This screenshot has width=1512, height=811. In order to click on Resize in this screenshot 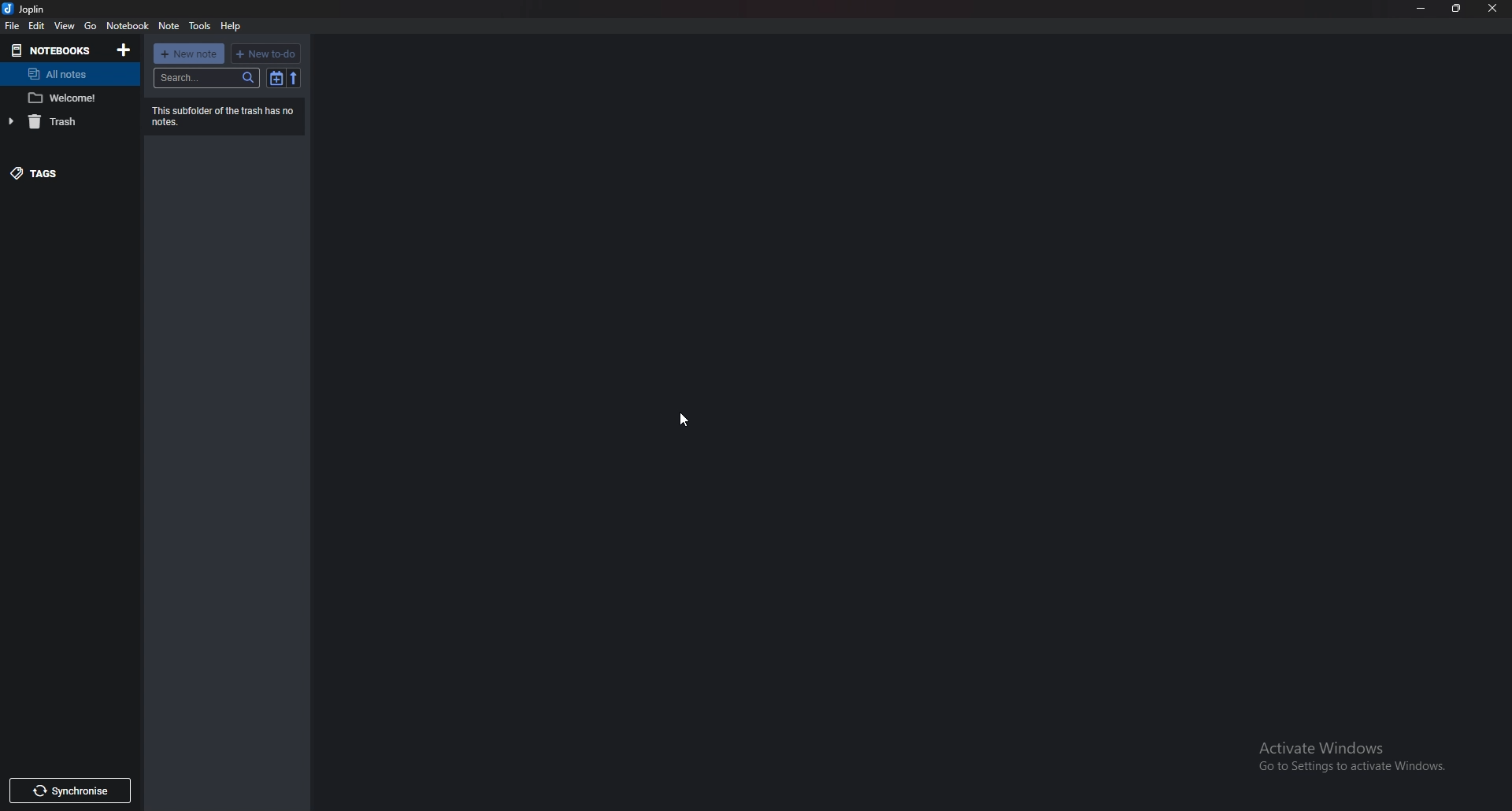, I will do `click(1454, 8)`.